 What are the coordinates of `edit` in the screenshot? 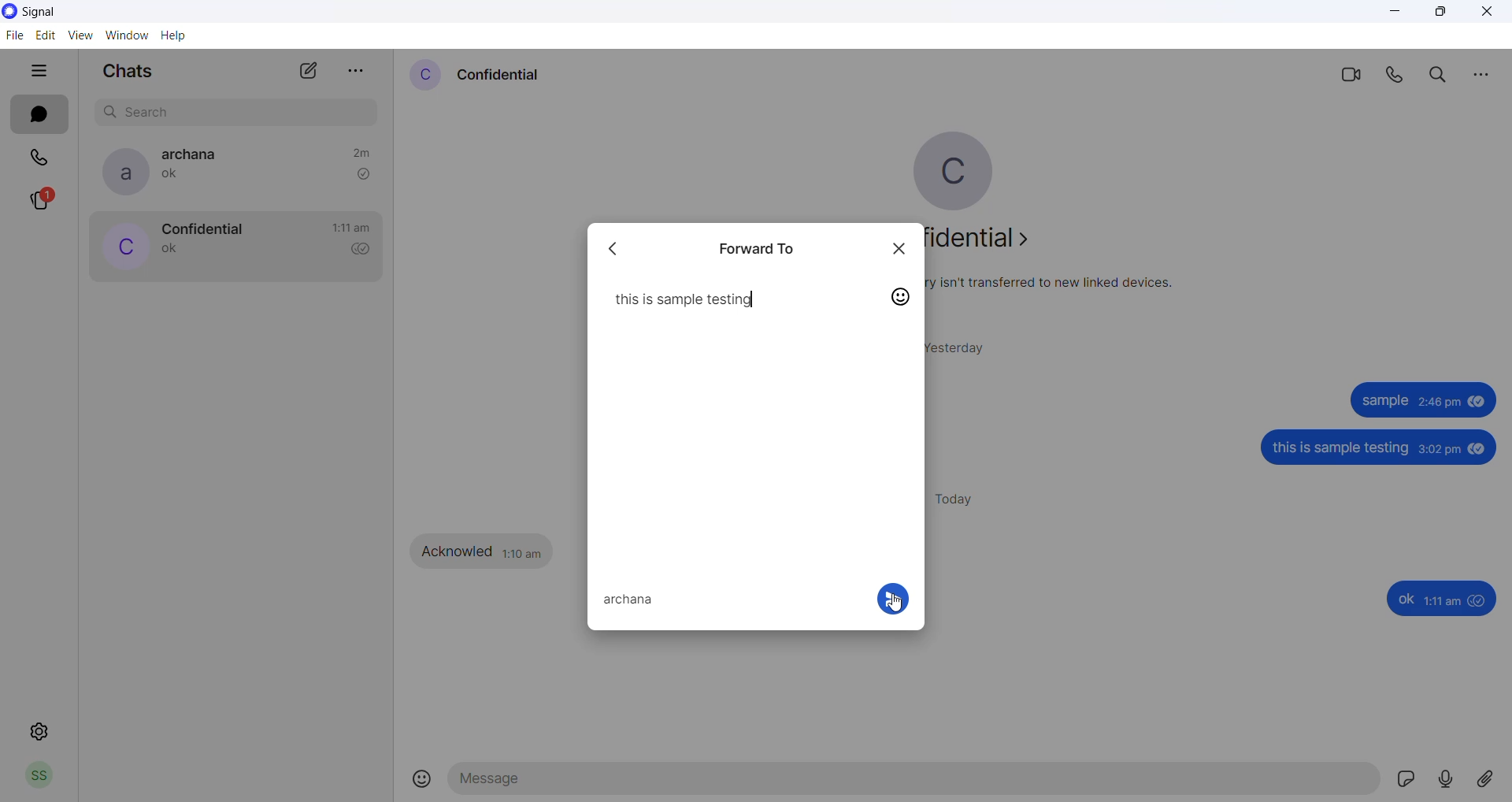 It's located at (46, 35).